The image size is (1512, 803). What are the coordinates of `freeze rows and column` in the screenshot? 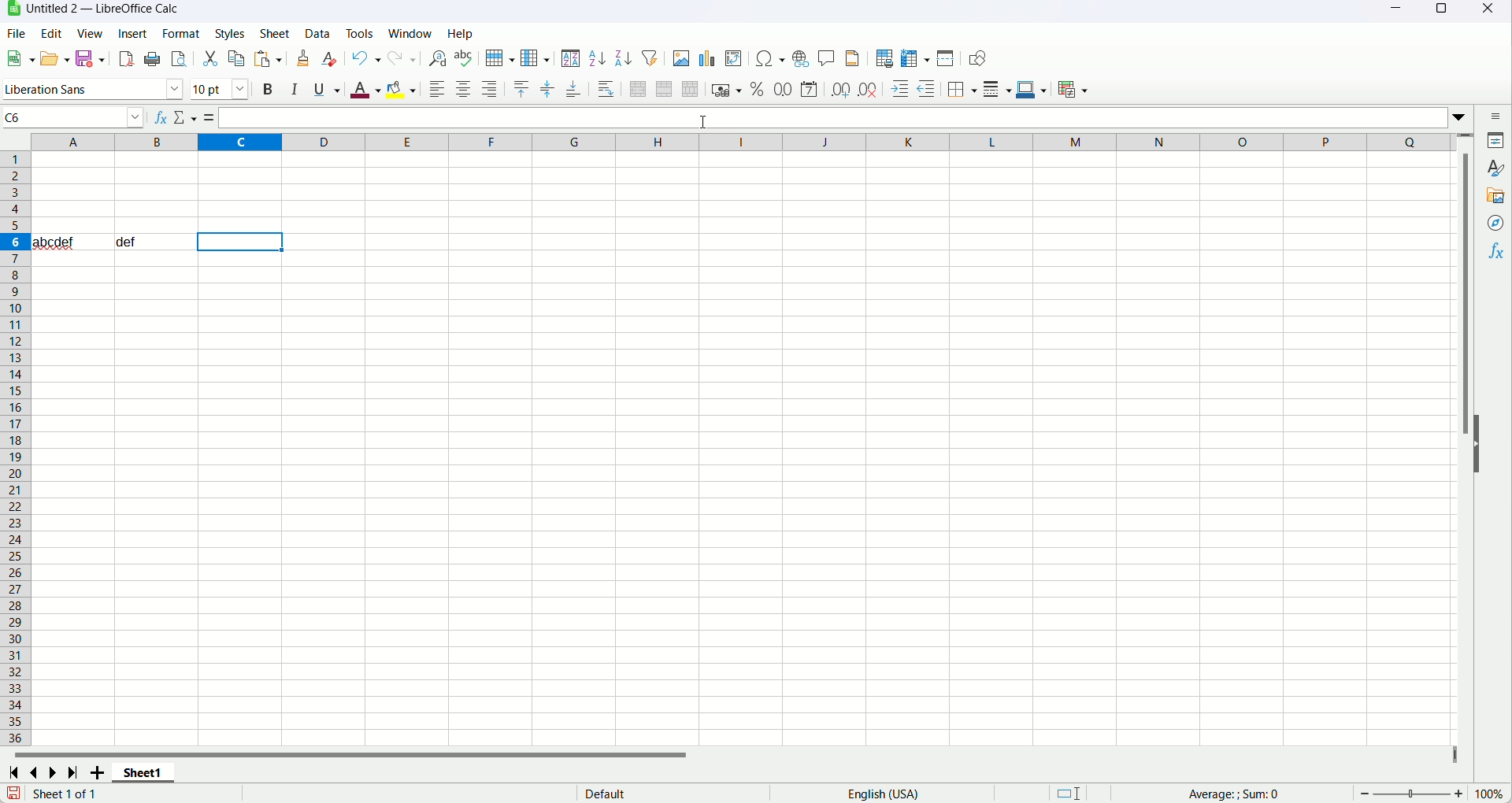 It's located at (916, 57).